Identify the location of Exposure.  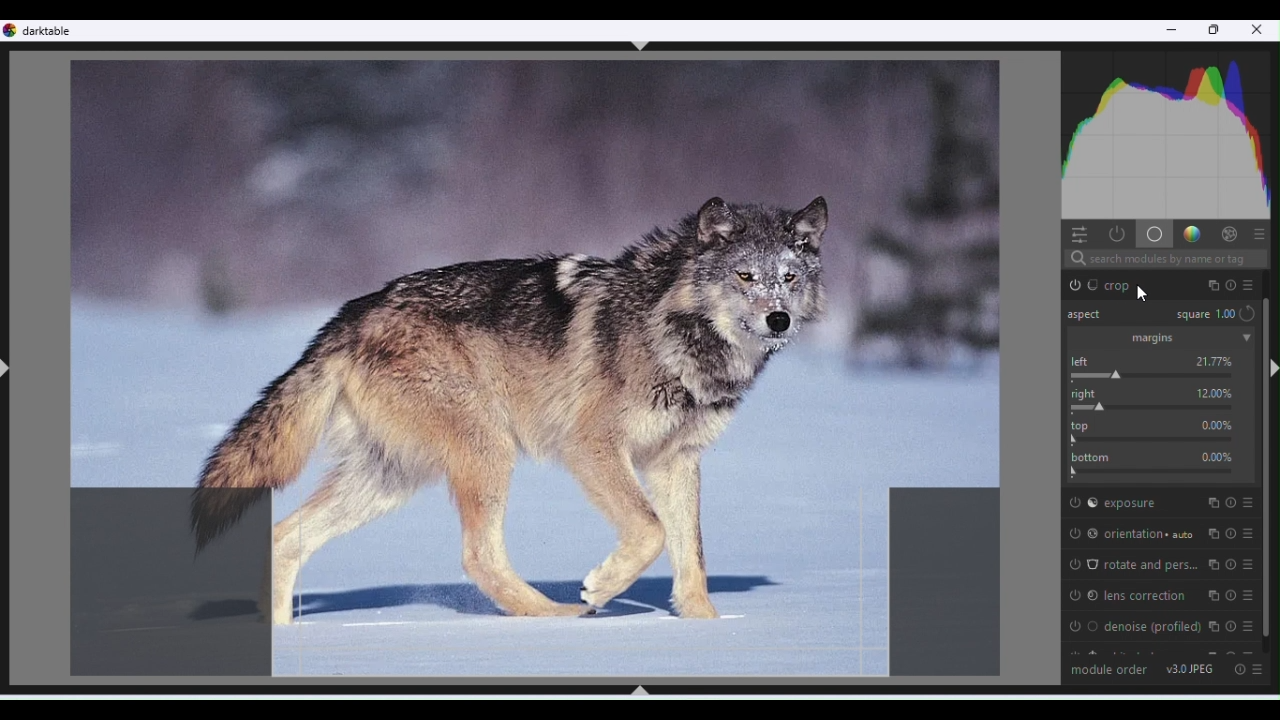
(1158, 501).